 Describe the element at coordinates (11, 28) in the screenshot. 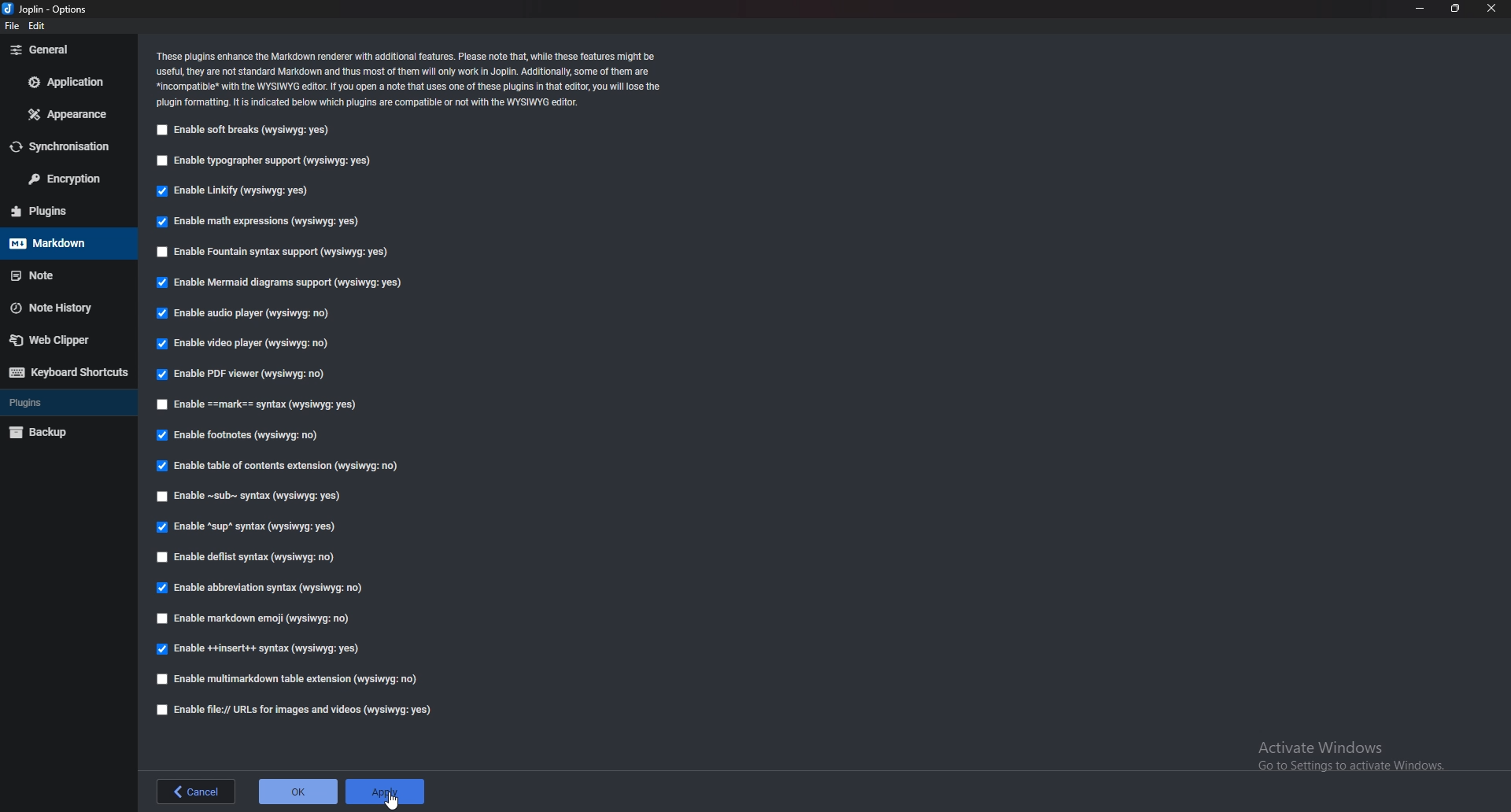

I see `file` at that location.